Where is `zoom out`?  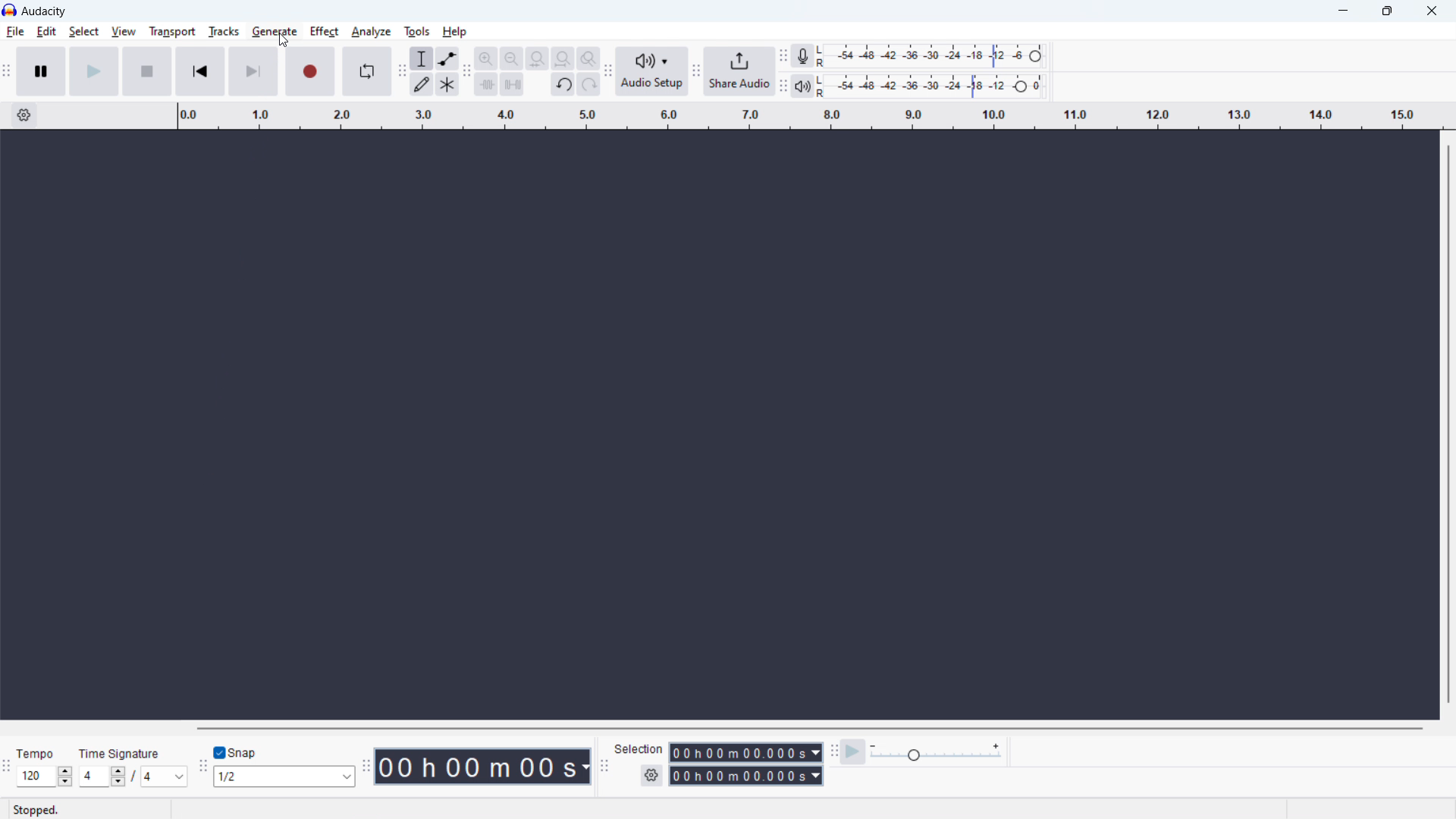
zoom out is located at coordinates (511, 58).